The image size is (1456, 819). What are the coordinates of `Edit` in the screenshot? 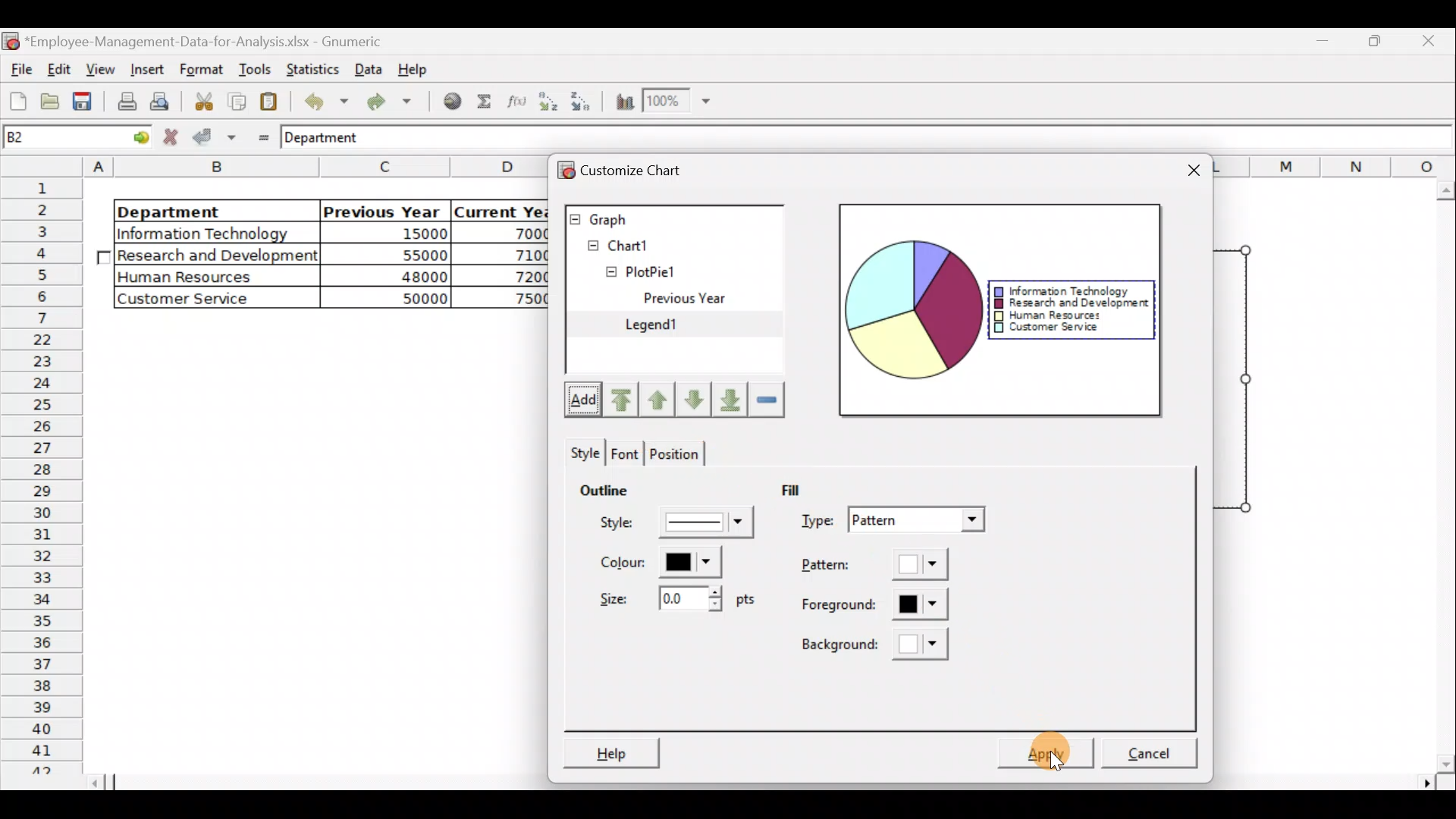 It's located at (61, 67).